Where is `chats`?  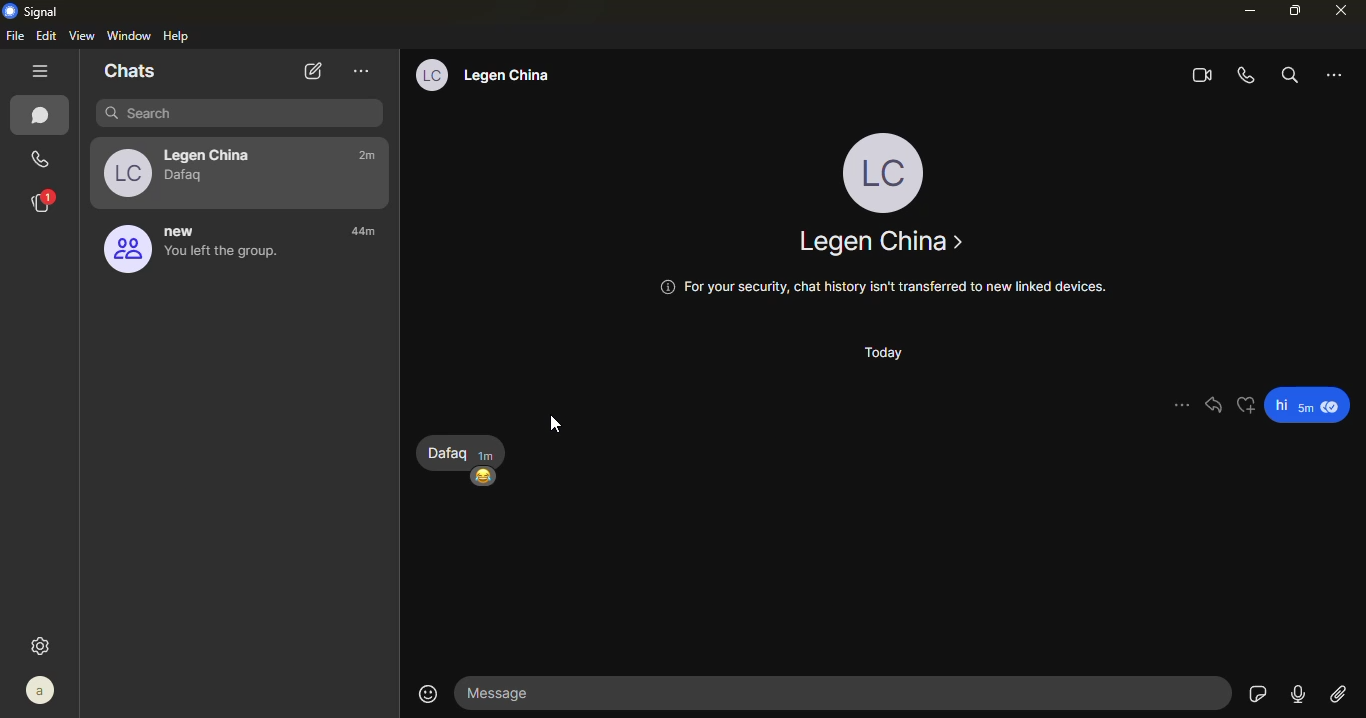 chats is located at coordinates (130, 71).